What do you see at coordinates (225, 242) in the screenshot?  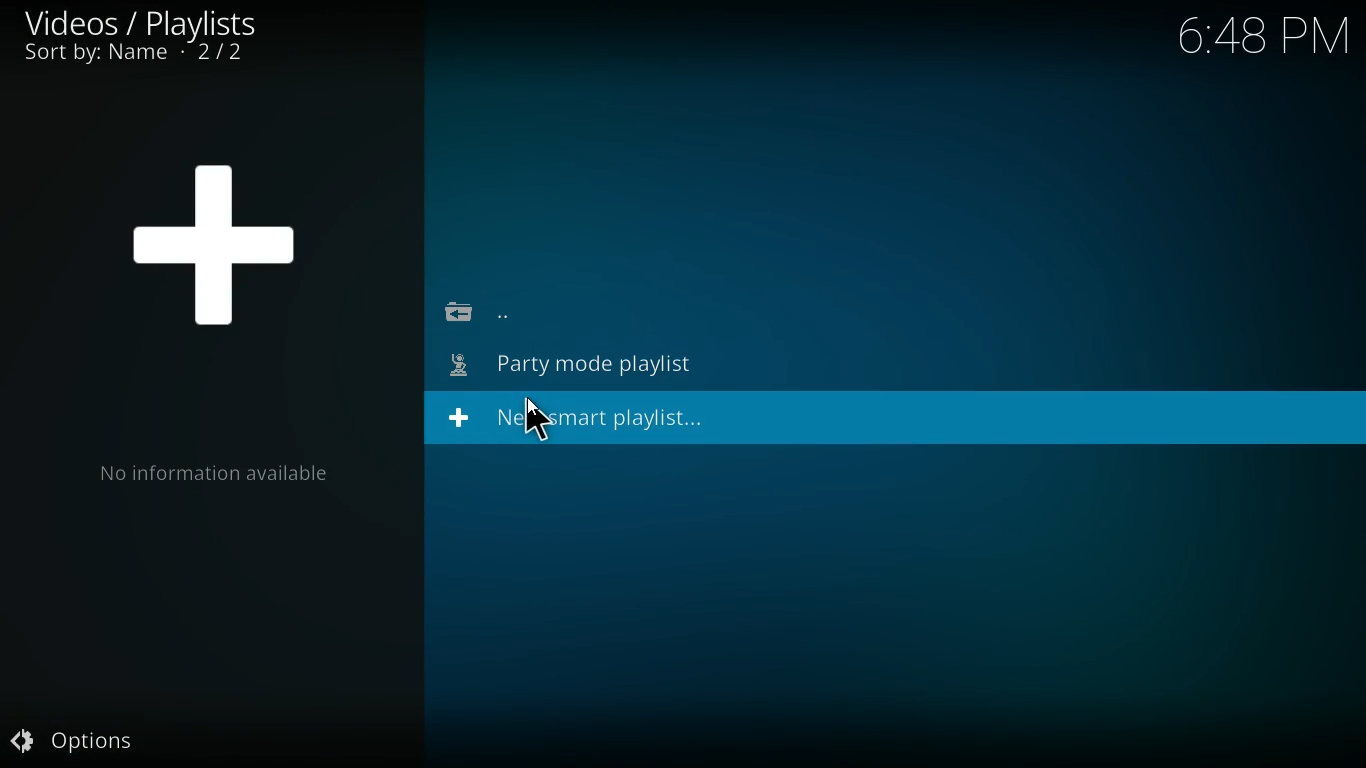 I see `new smart playlist symbol` at bounding box center [225, 242].